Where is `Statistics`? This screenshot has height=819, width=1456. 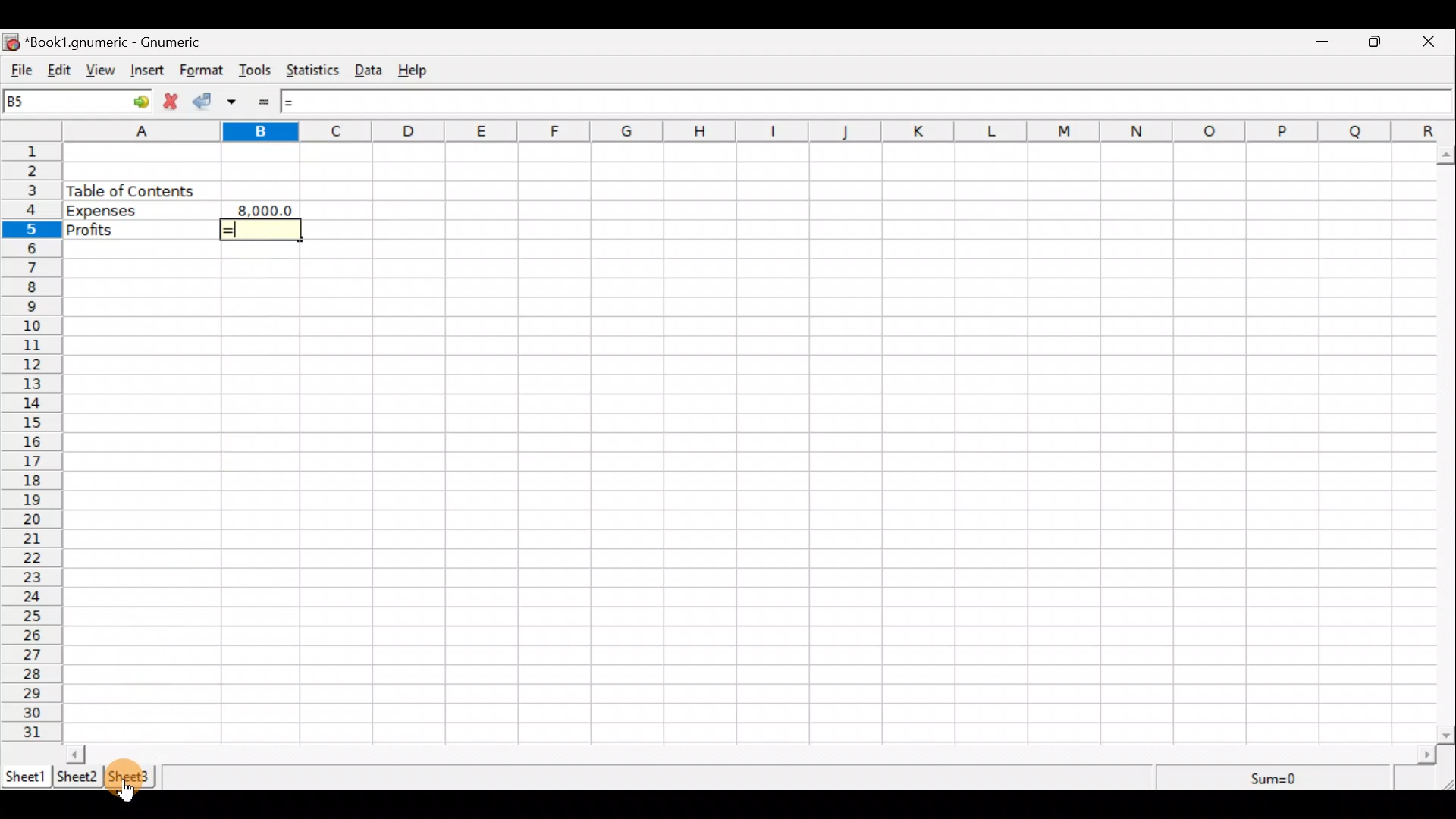
Statistics is located at coordinates (315, 72).